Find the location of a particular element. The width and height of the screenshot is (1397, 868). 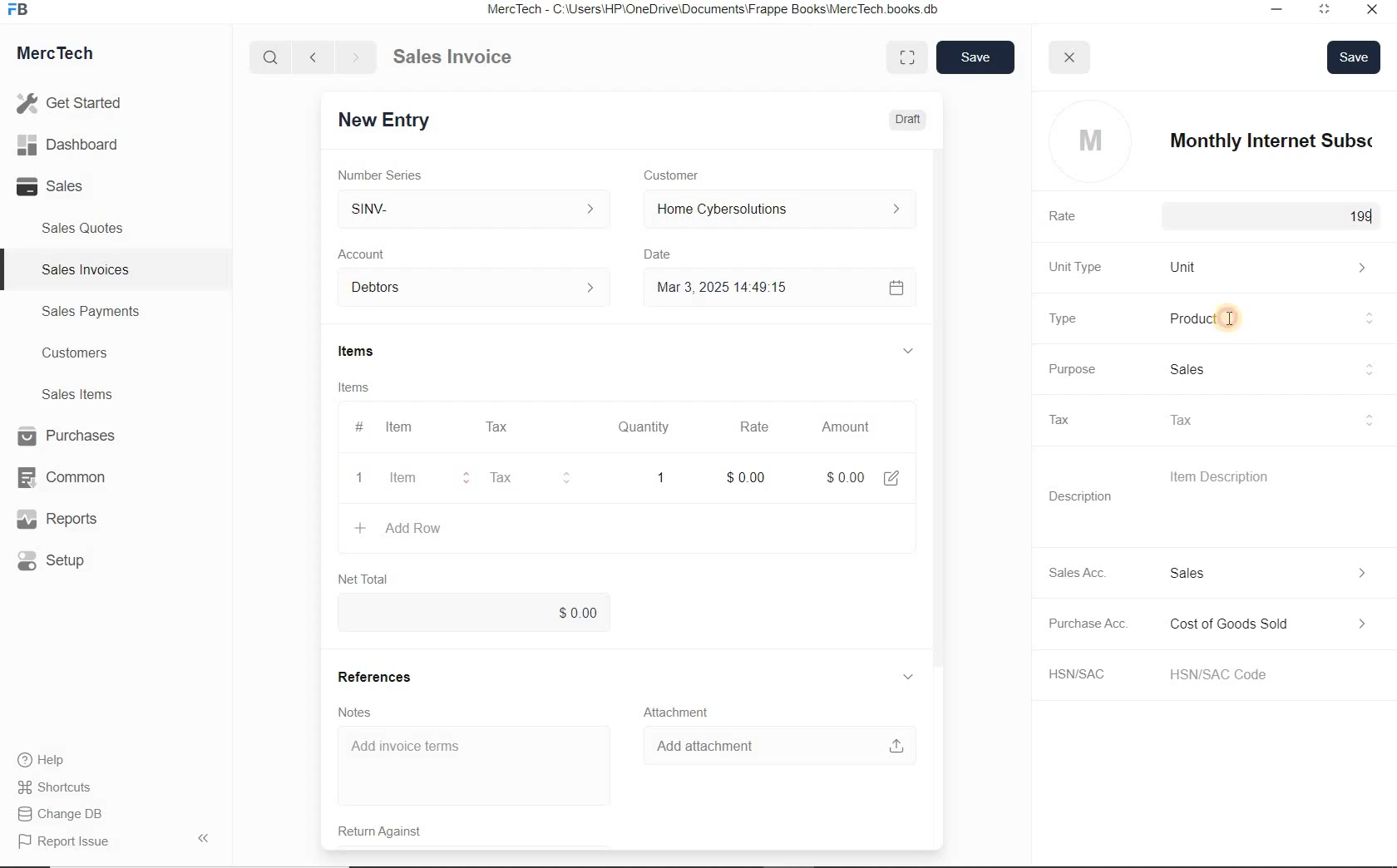

Customers is located at coordinates (90, 353).